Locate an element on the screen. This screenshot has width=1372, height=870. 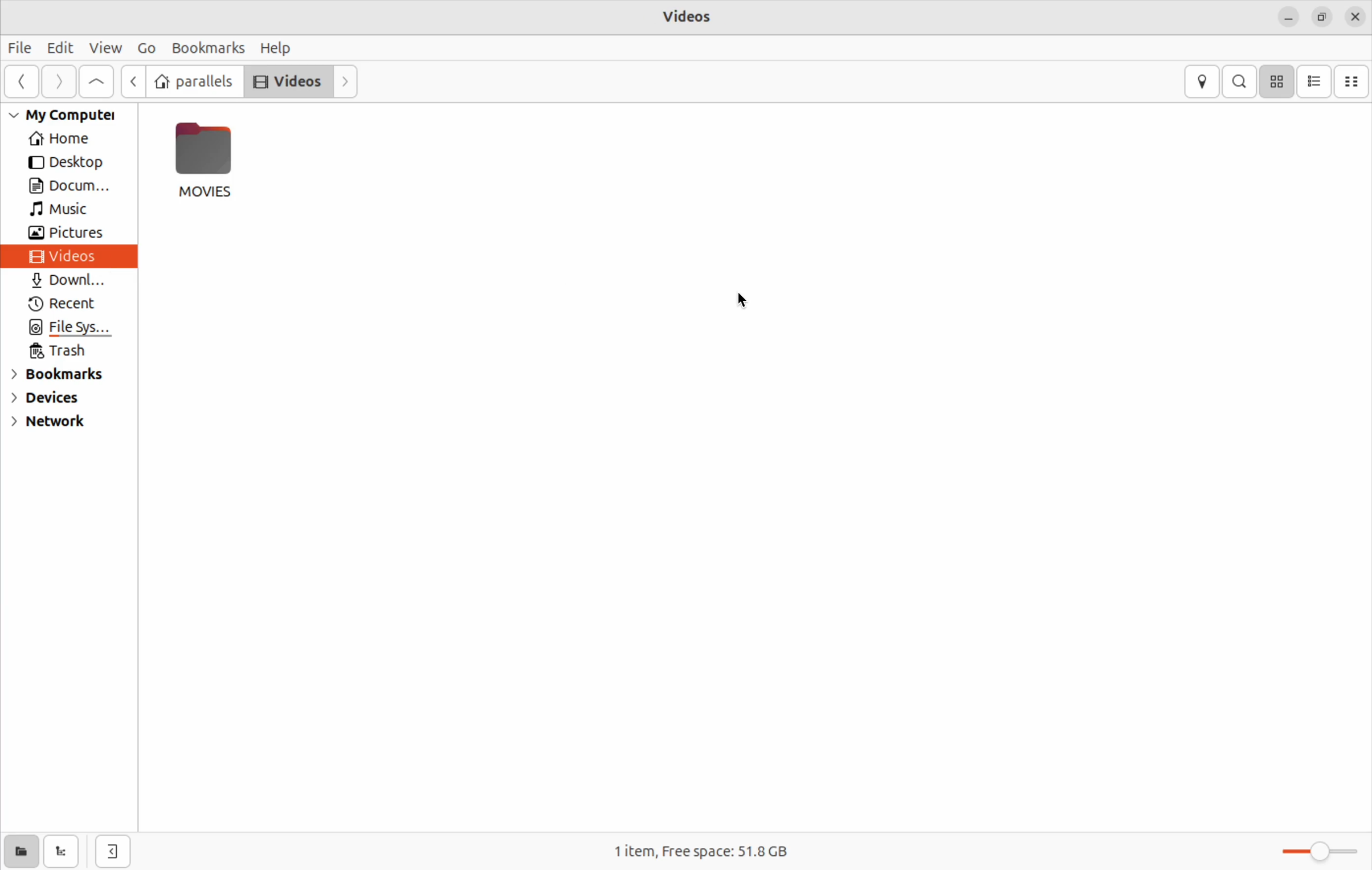
Downloads is located at coordinates (69, 282).